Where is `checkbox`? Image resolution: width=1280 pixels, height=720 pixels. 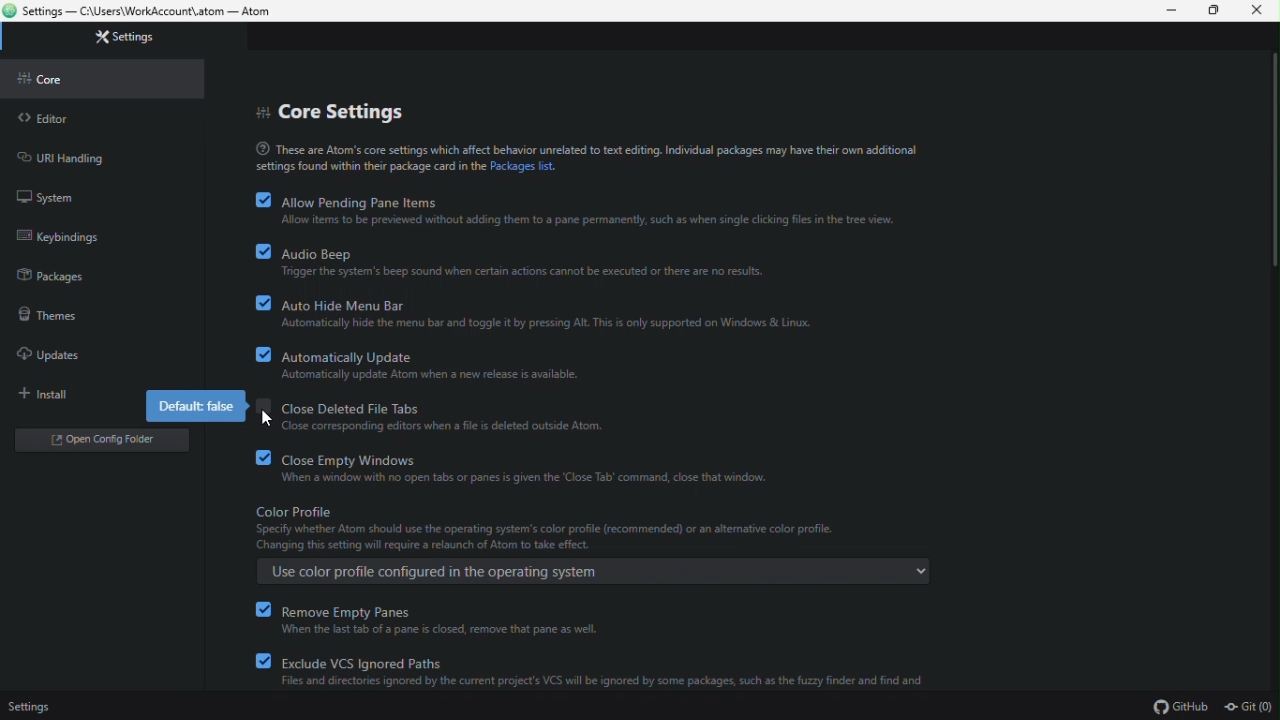 checkbox is located at coordinates (265, 202).